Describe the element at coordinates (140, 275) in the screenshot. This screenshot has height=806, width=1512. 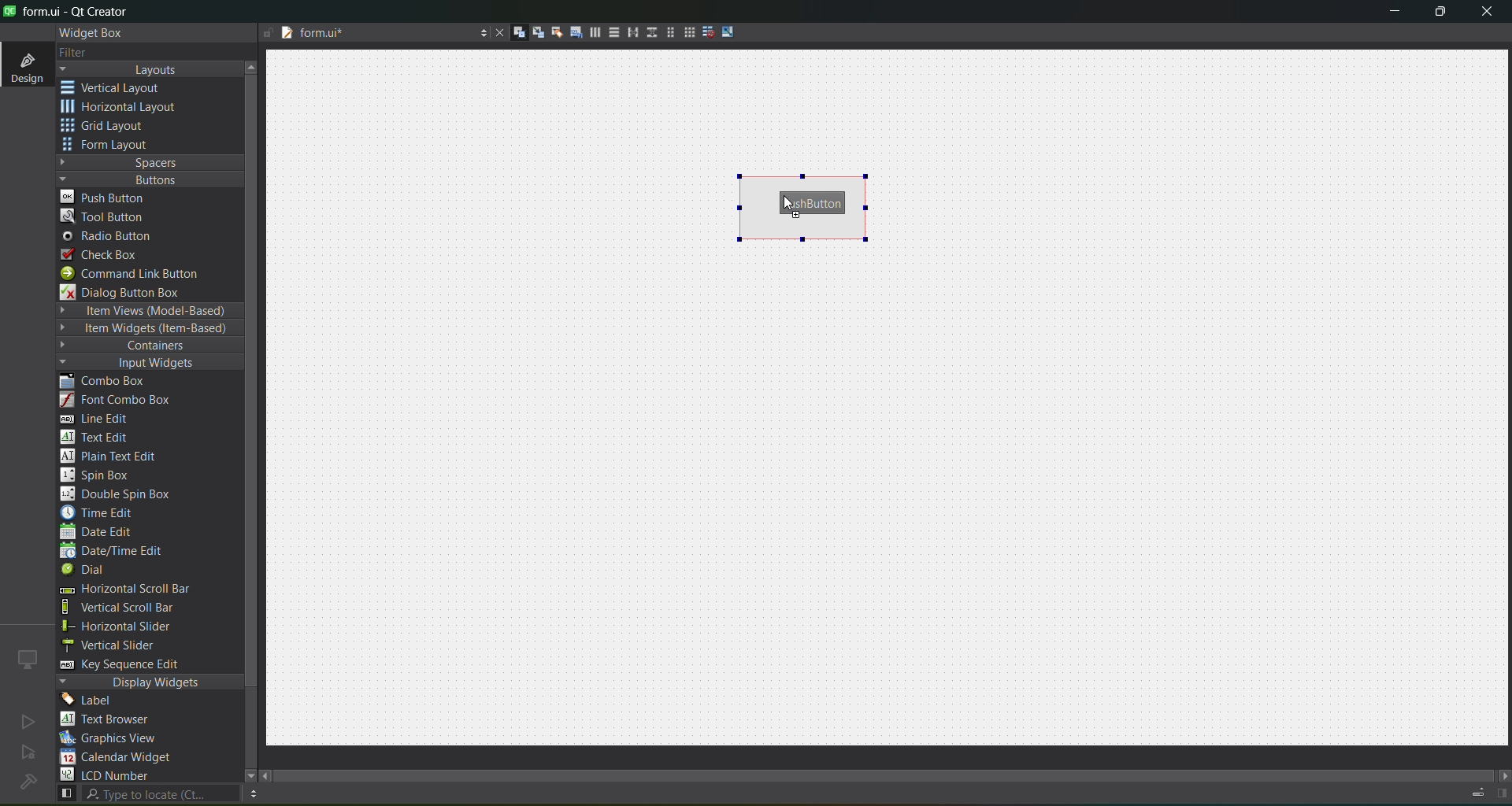
I see `command` at that location.